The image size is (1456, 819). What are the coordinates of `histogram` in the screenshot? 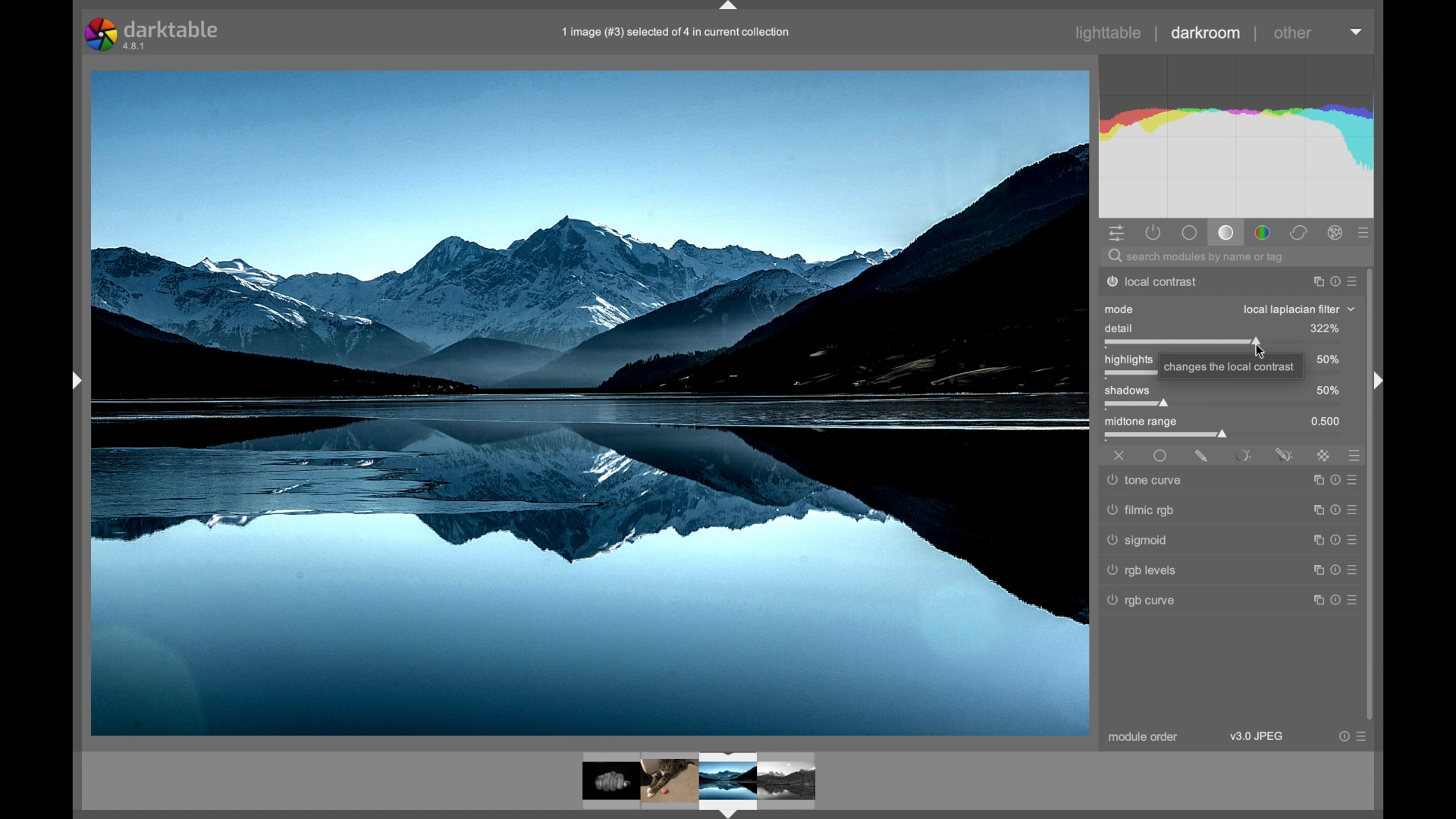 It's located at (1237, 134).